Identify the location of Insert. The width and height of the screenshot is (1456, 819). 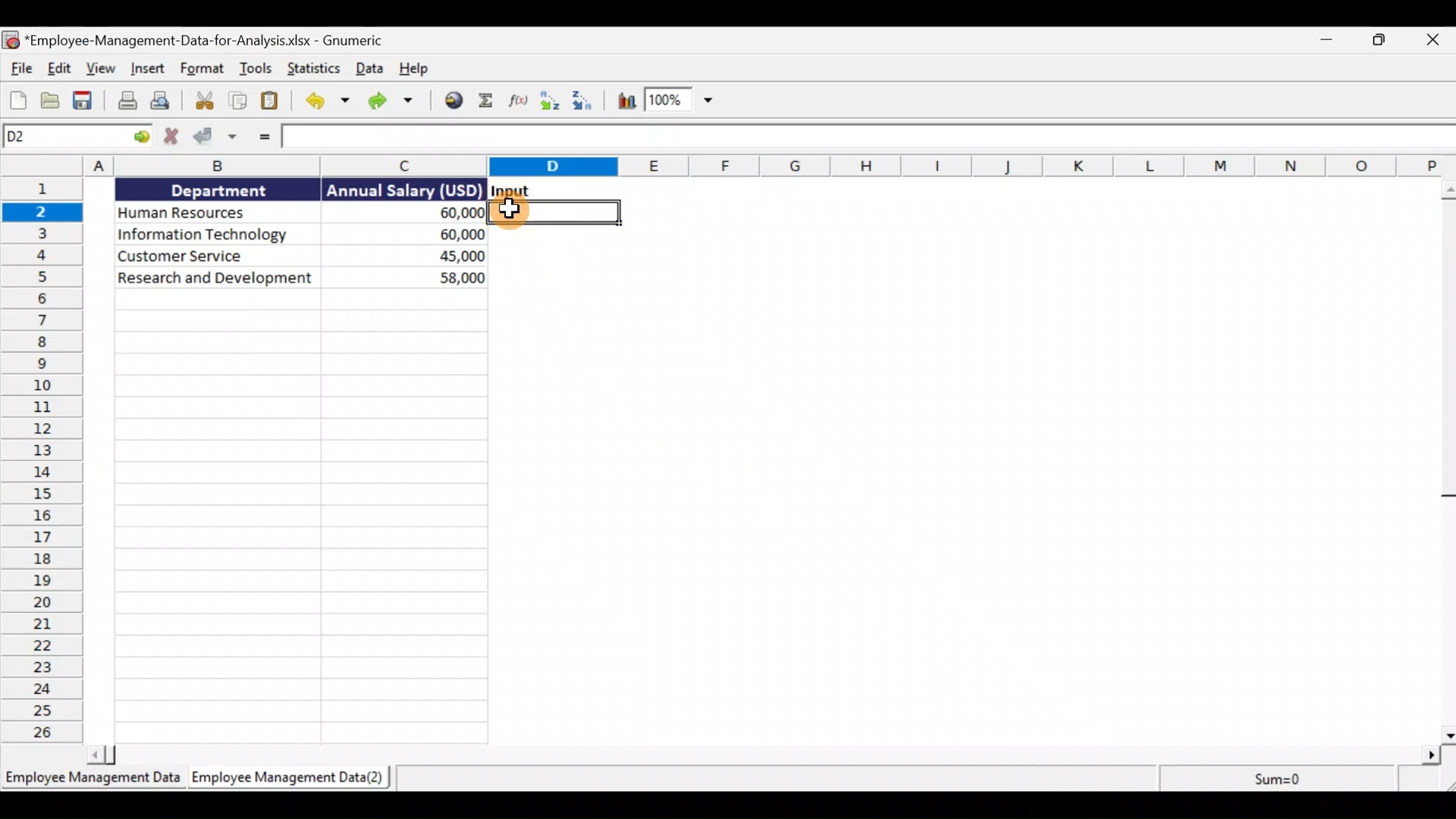
(149, 67).